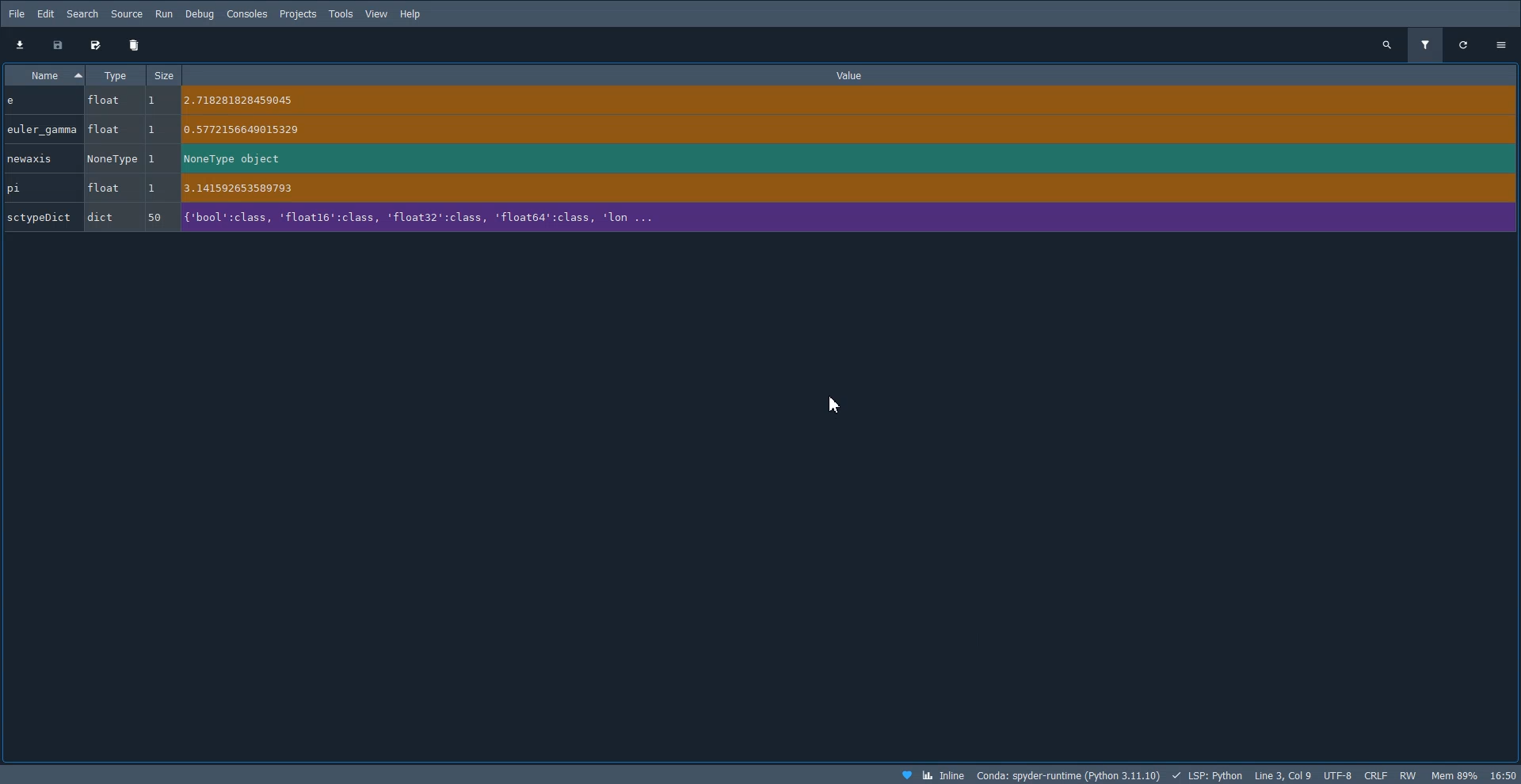 This screenshot has width=1521, height=784. Describe the element at coordinates (32, 159) in the screenshot. I see `newaxis` at that location.